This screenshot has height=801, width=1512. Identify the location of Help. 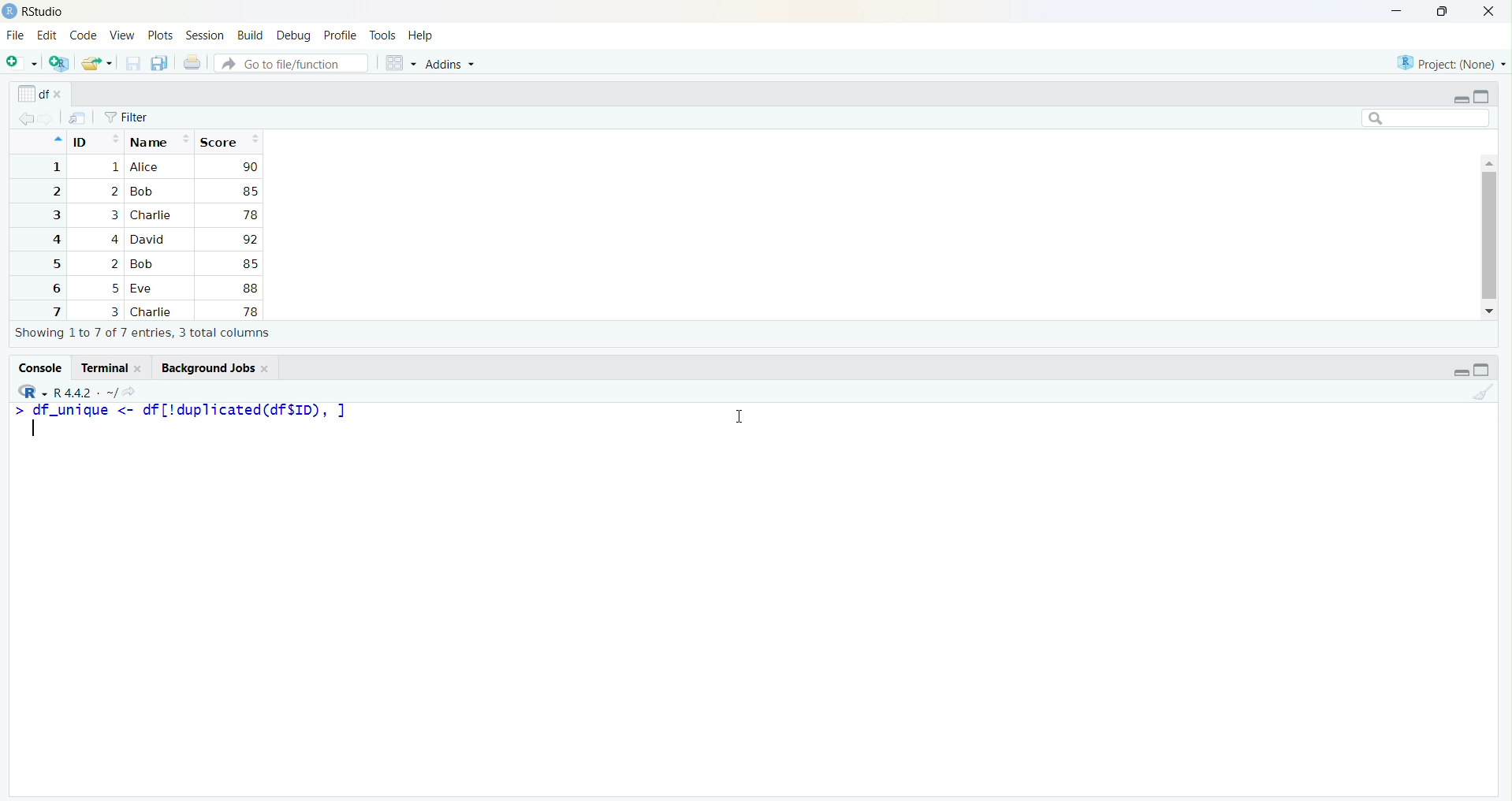
(421, 37).